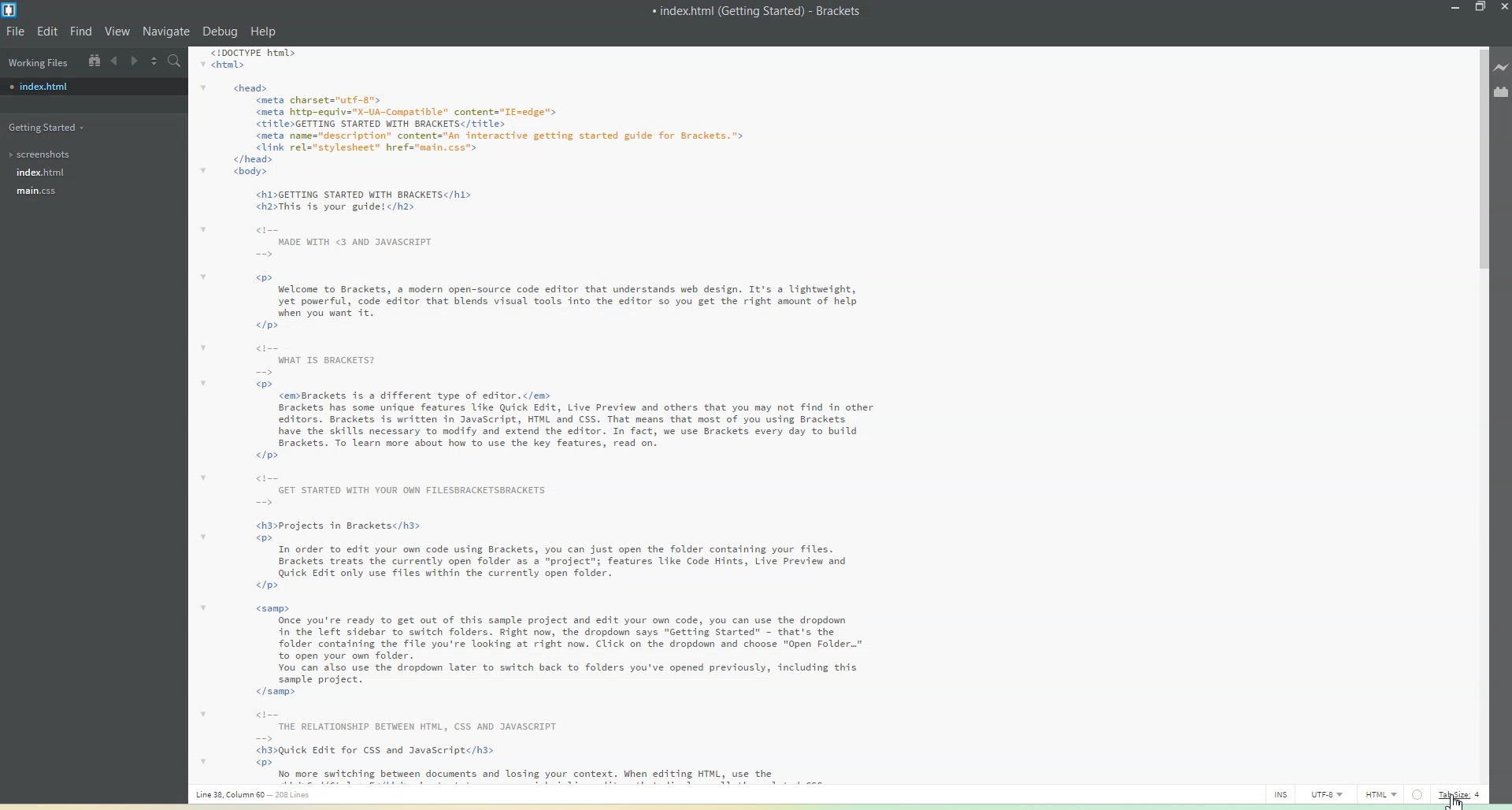 This screenshot has height=810, width=1512. What do you see at coordinates (117, 31) in the screenshot?
I see `View` at bounding box center [117, 31].